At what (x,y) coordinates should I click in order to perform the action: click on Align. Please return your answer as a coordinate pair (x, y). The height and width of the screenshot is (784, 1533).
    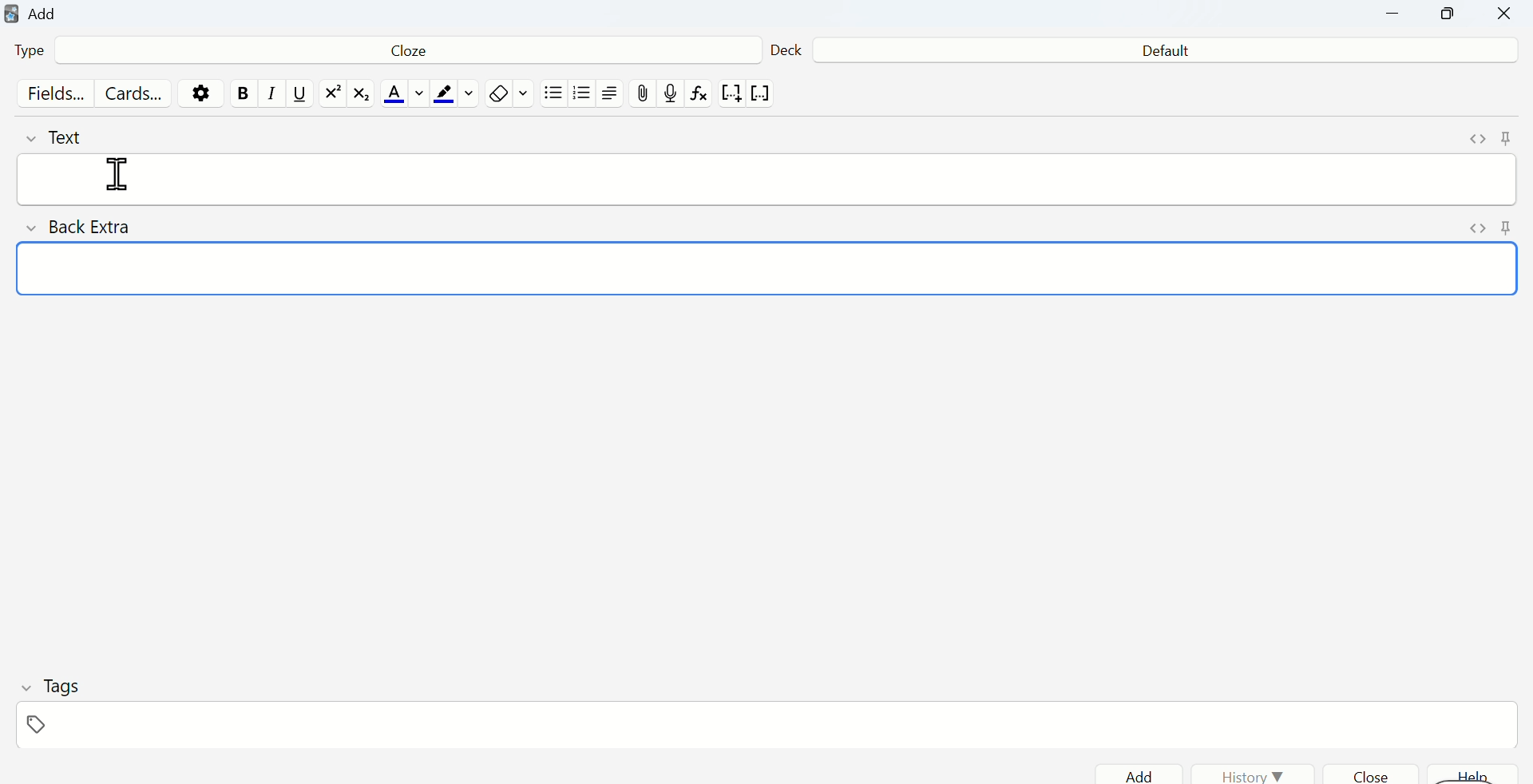
    Looking at the image, I should click on (614, 95).